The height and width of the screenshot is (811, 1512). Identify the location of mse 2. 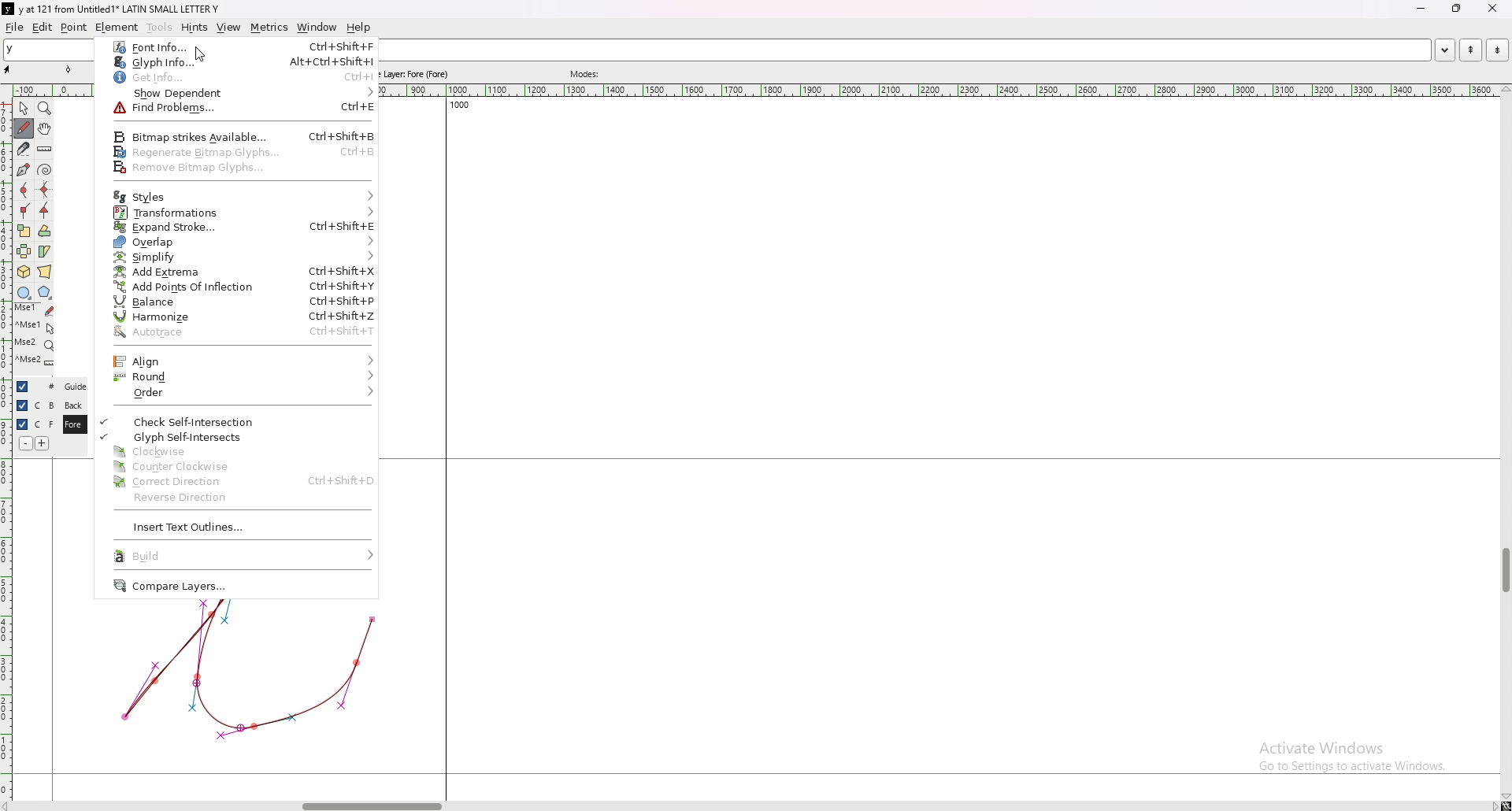
(35, 362).